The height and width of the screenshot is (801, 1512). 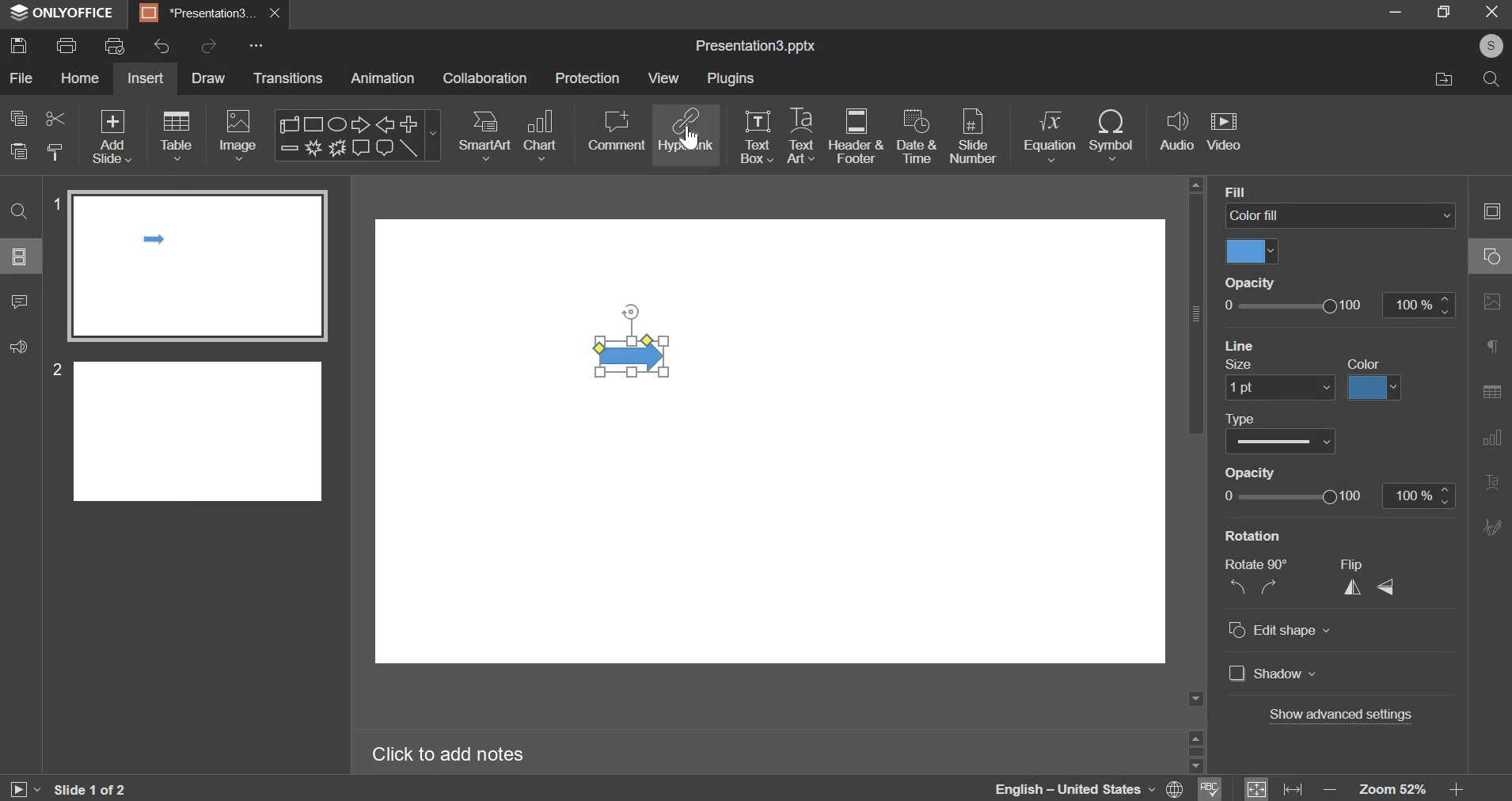 What do you see at coordinates (195, 16) in the screenshot?
I see `Presentation3` at bounding box center [195, 16].